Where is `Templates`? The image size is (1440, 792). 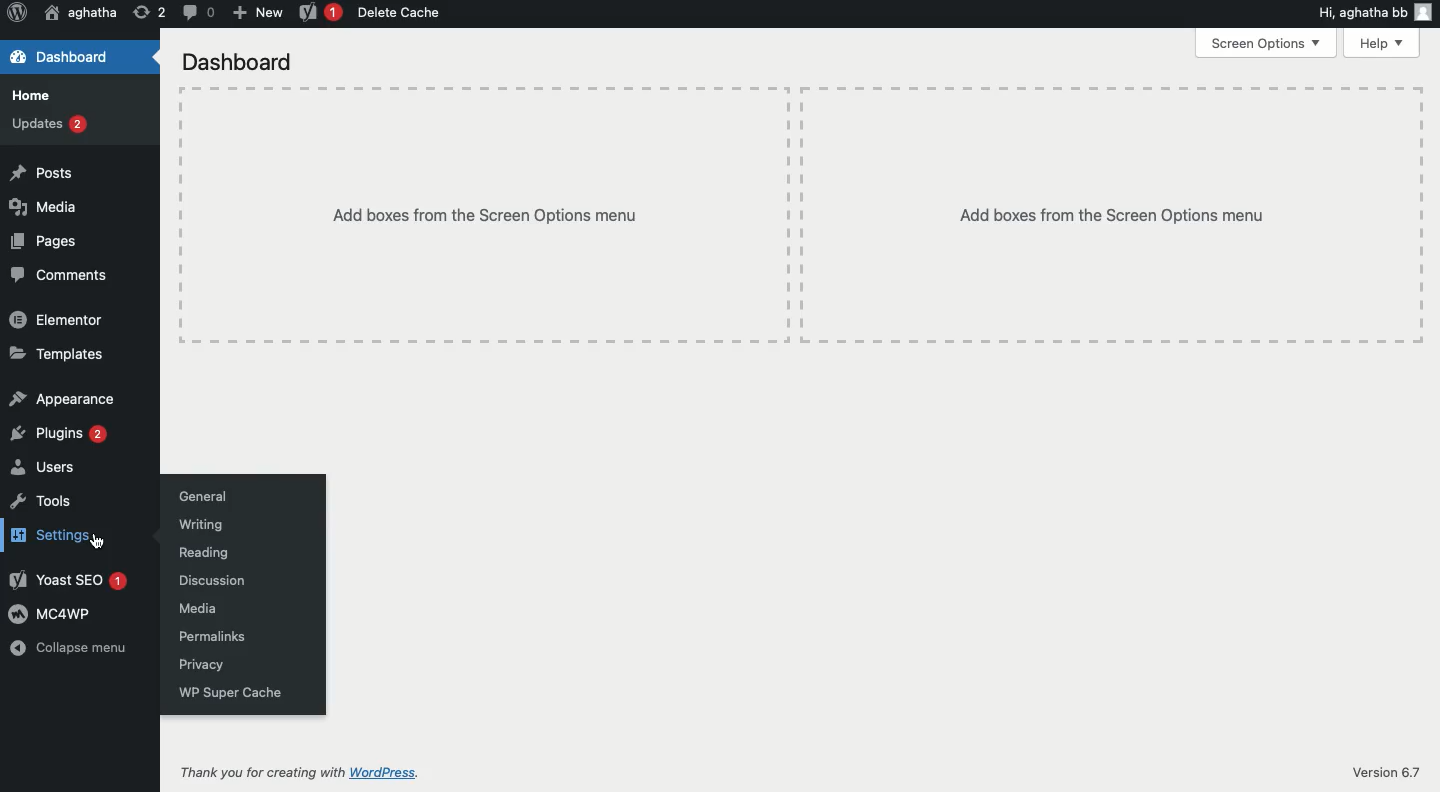 Templates is located at coordinates (58, 355).